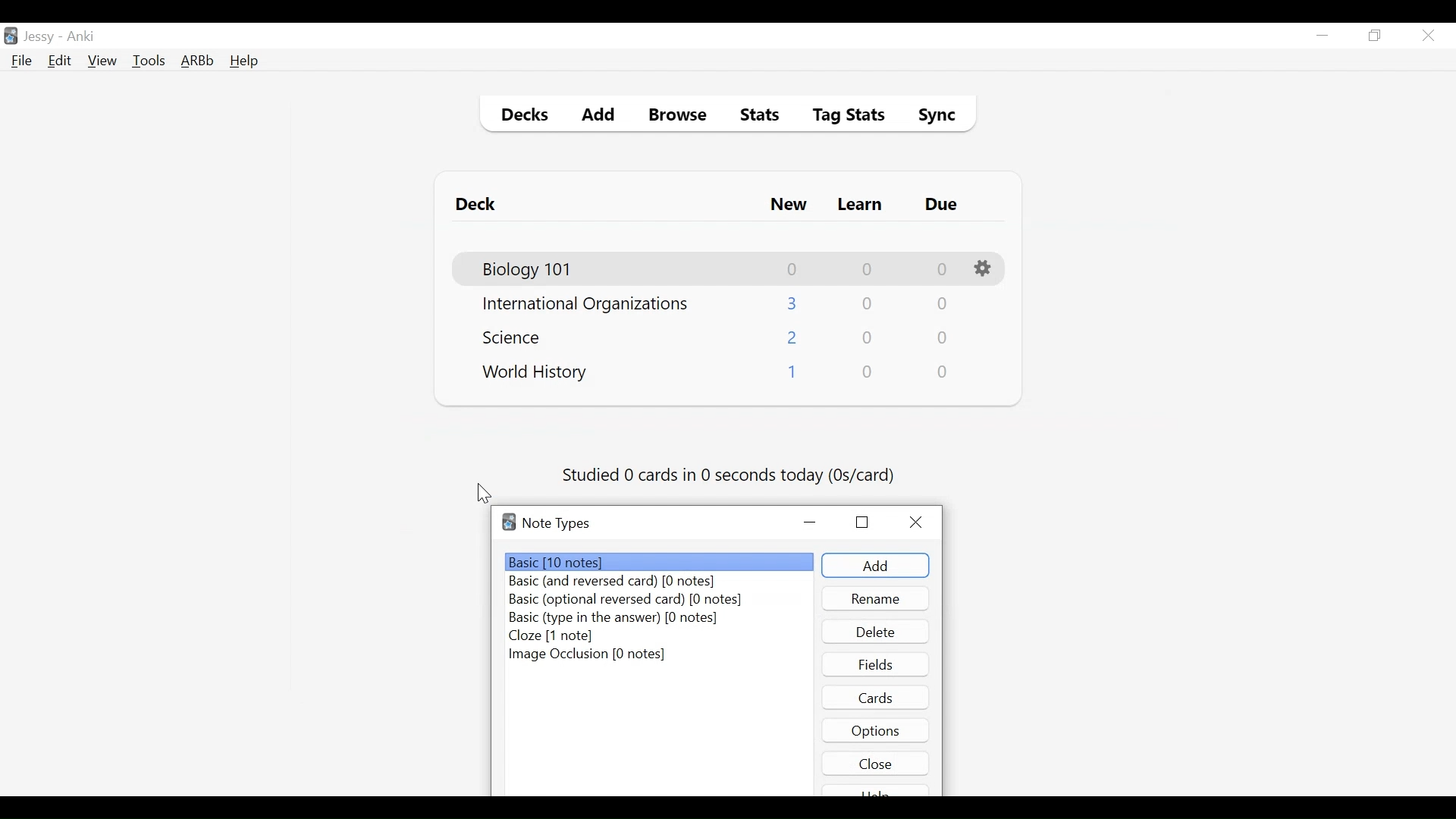 This screenshot has height=819, width=1456. I want to click on Delete, so click(874, 632).